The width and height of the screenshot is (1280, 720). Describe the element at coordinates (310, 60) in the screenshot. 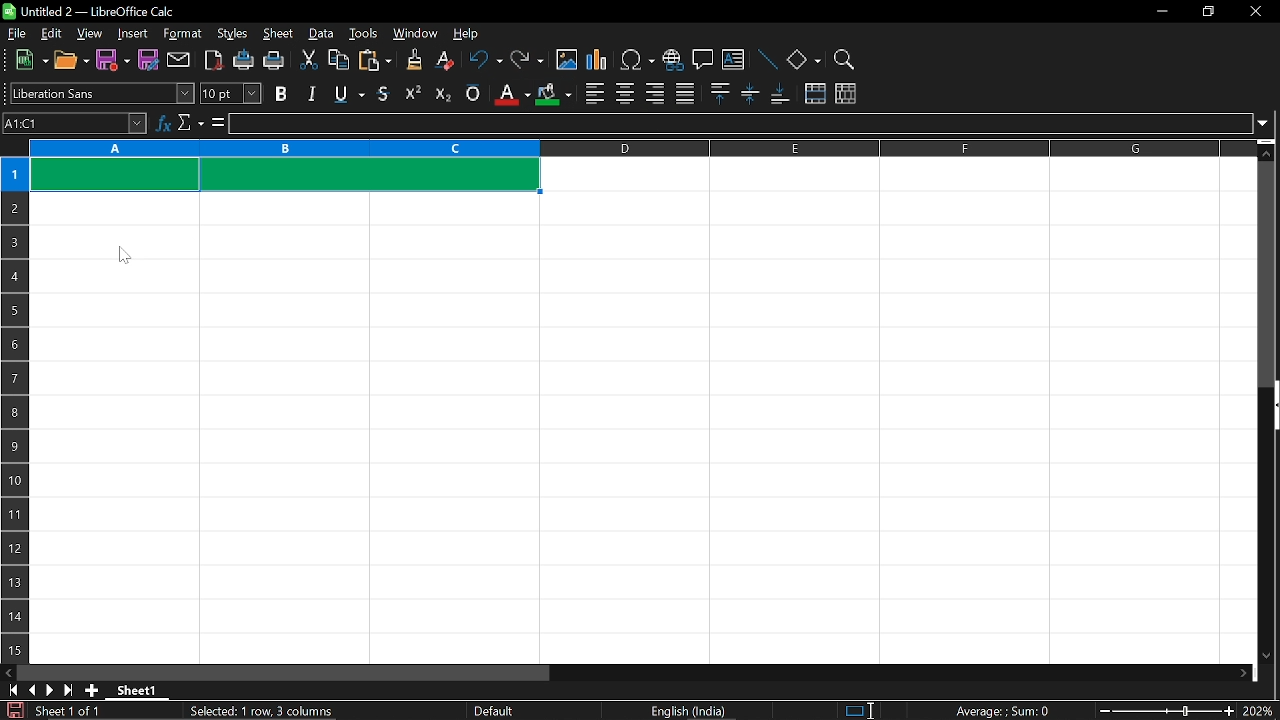

I see `cut` at that location.